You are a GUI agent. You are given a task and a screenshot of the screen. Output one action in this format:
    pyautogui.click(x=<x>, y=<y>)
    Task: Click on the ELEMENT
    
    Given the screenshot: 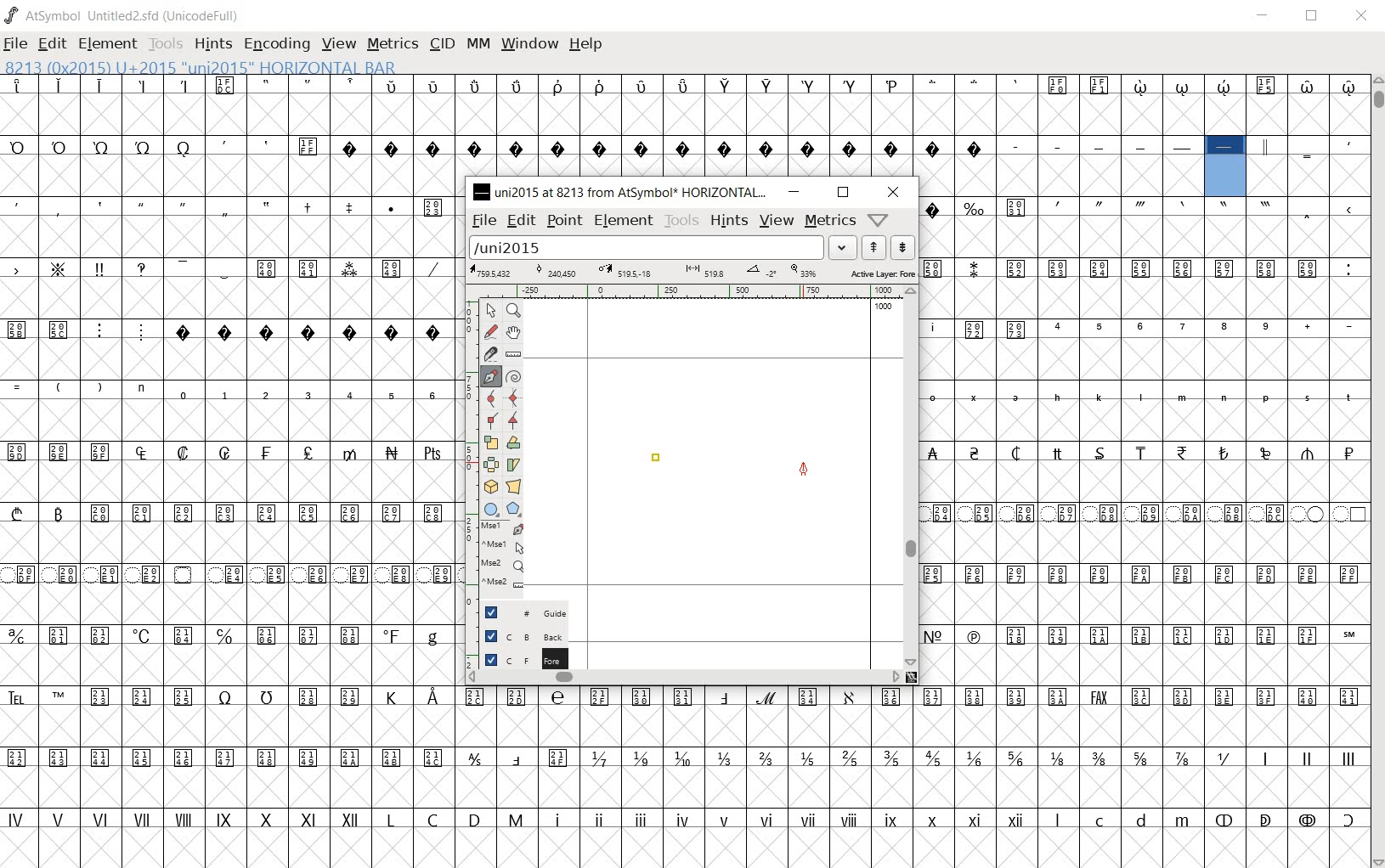 What is the action you would take?
    pyautogui.click(x=109, y=43)
    